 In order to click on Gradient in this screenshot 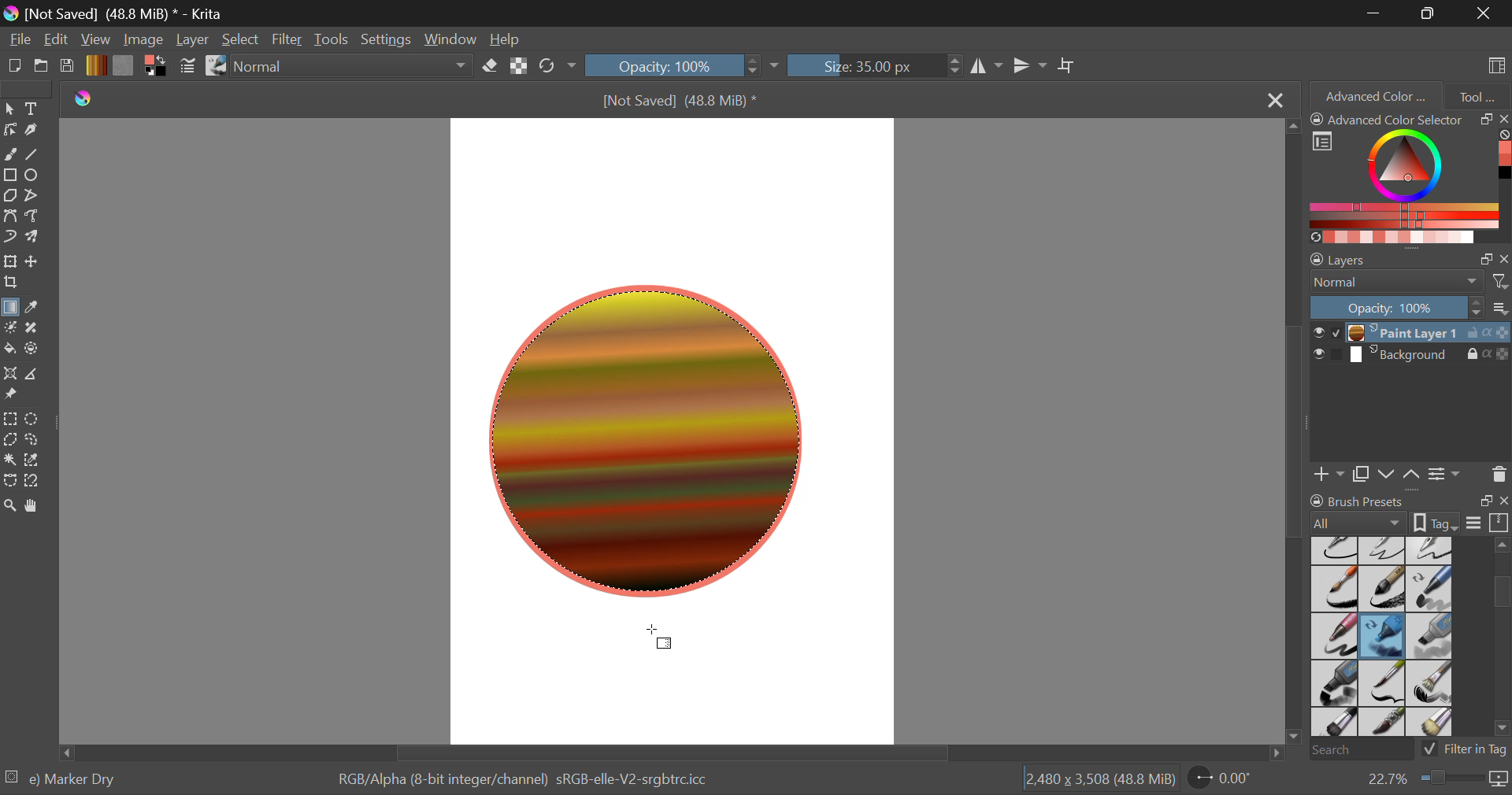, I will do `click(95, 65)`.